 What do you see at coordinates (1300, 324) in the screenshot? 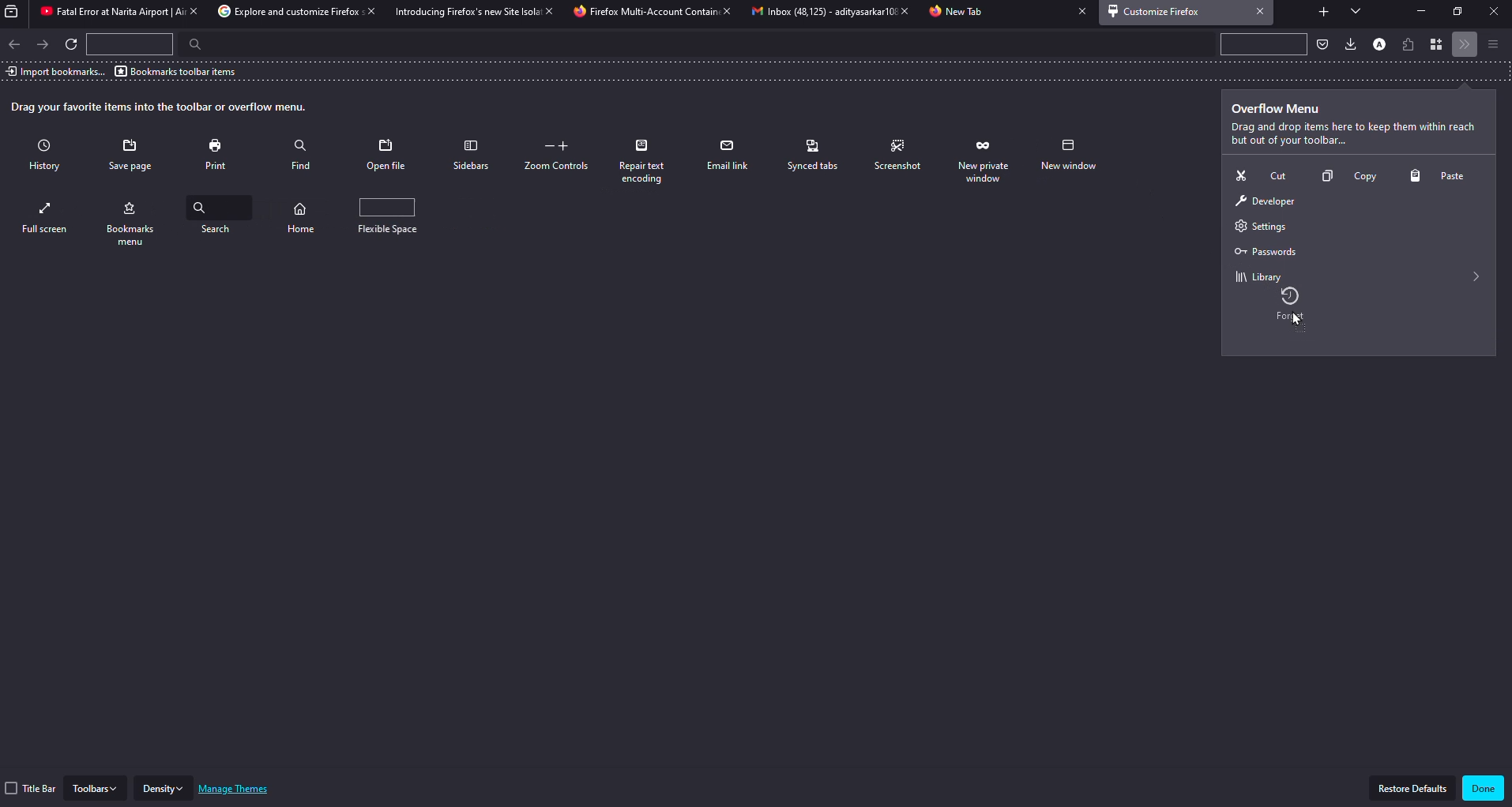
I see `cursor` at bounding box center [1300, 324].